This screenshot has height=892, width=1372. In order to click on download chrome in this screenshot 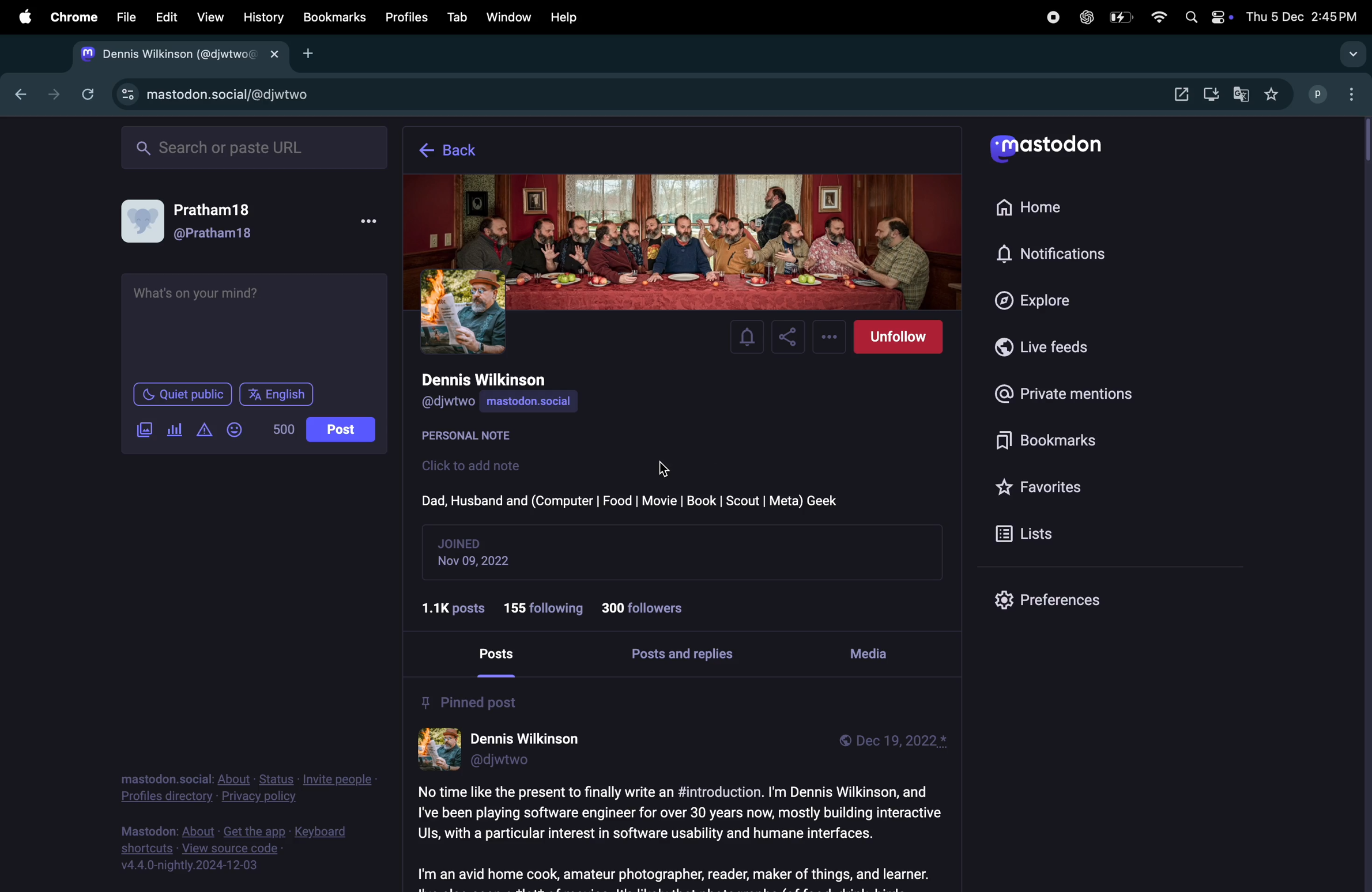, I will do `click(1212, 95)`.